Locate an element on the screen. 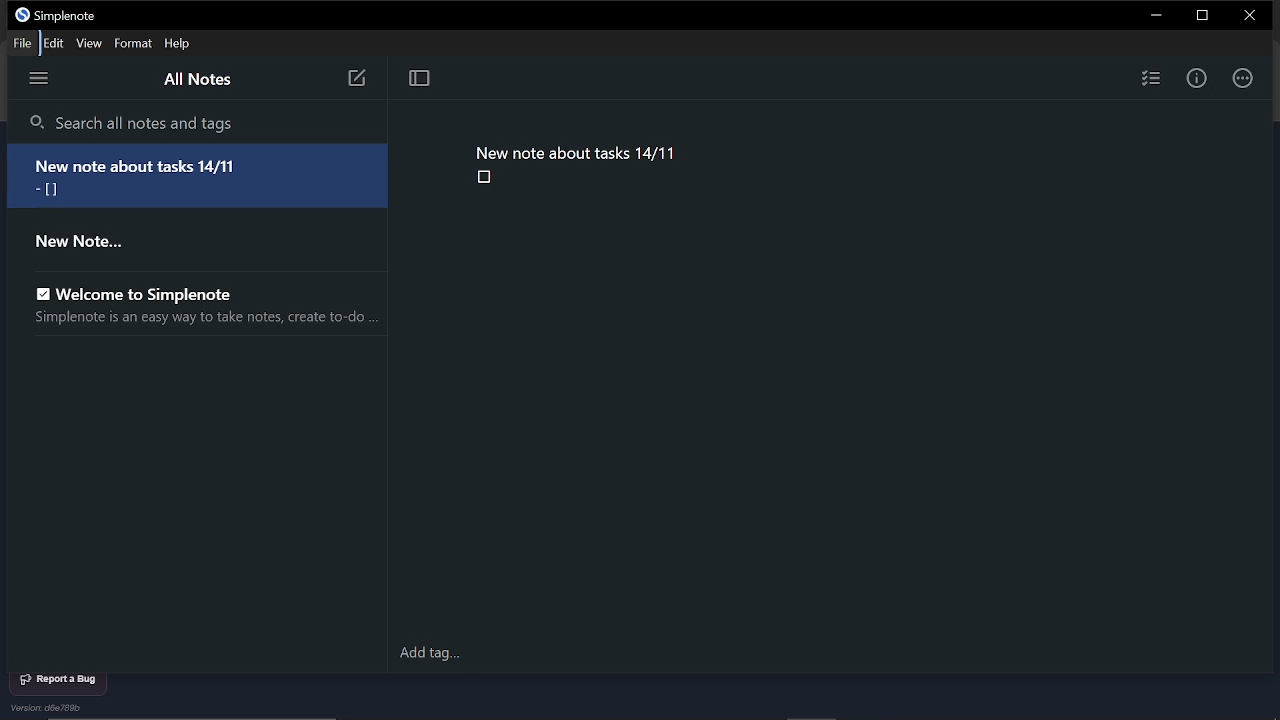 The height and width of the screenshot is (720, 1280). CLose is located at coordinates (1247, 15).